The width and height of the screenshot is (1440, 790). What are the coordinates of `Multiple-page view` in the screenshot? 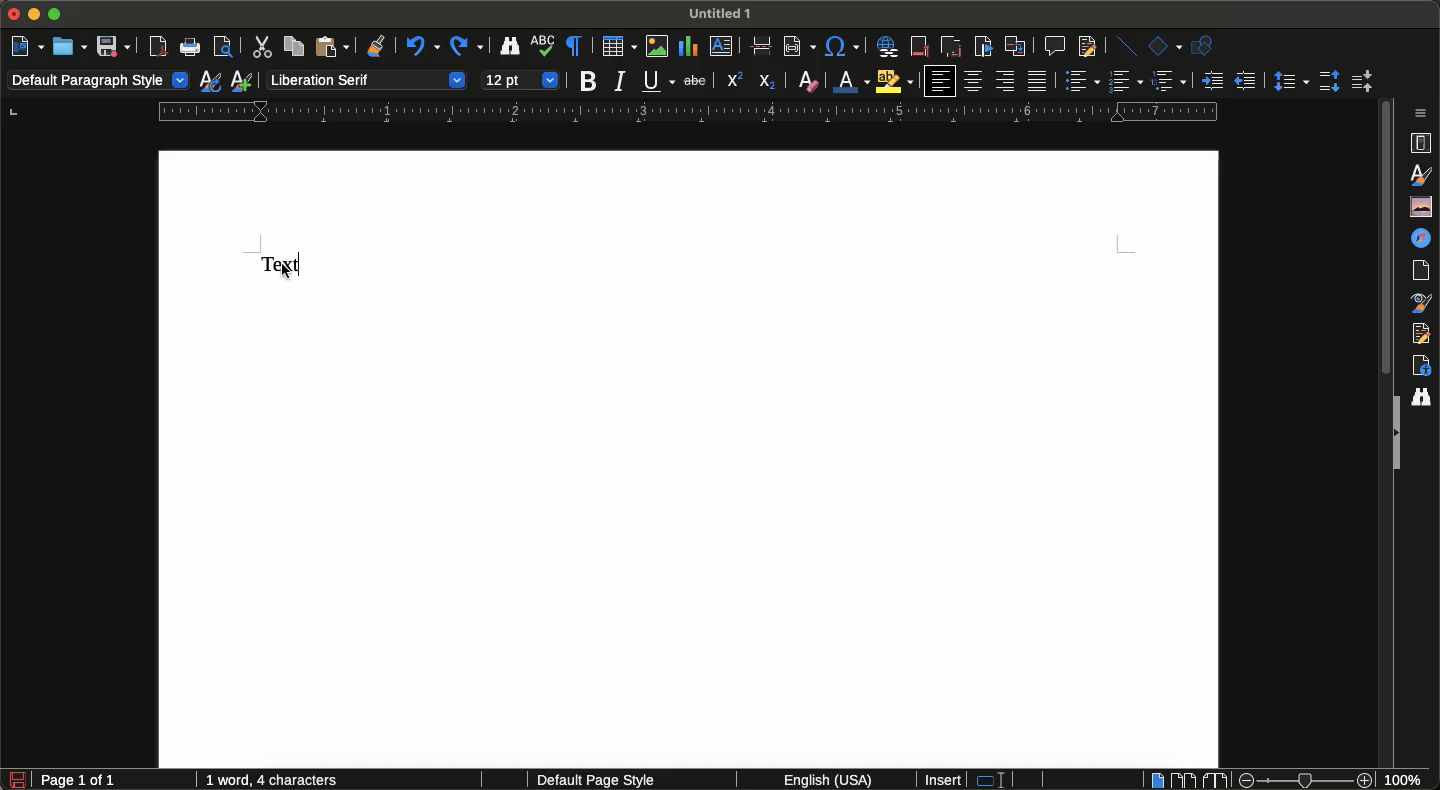 It's located at (1183, 779).